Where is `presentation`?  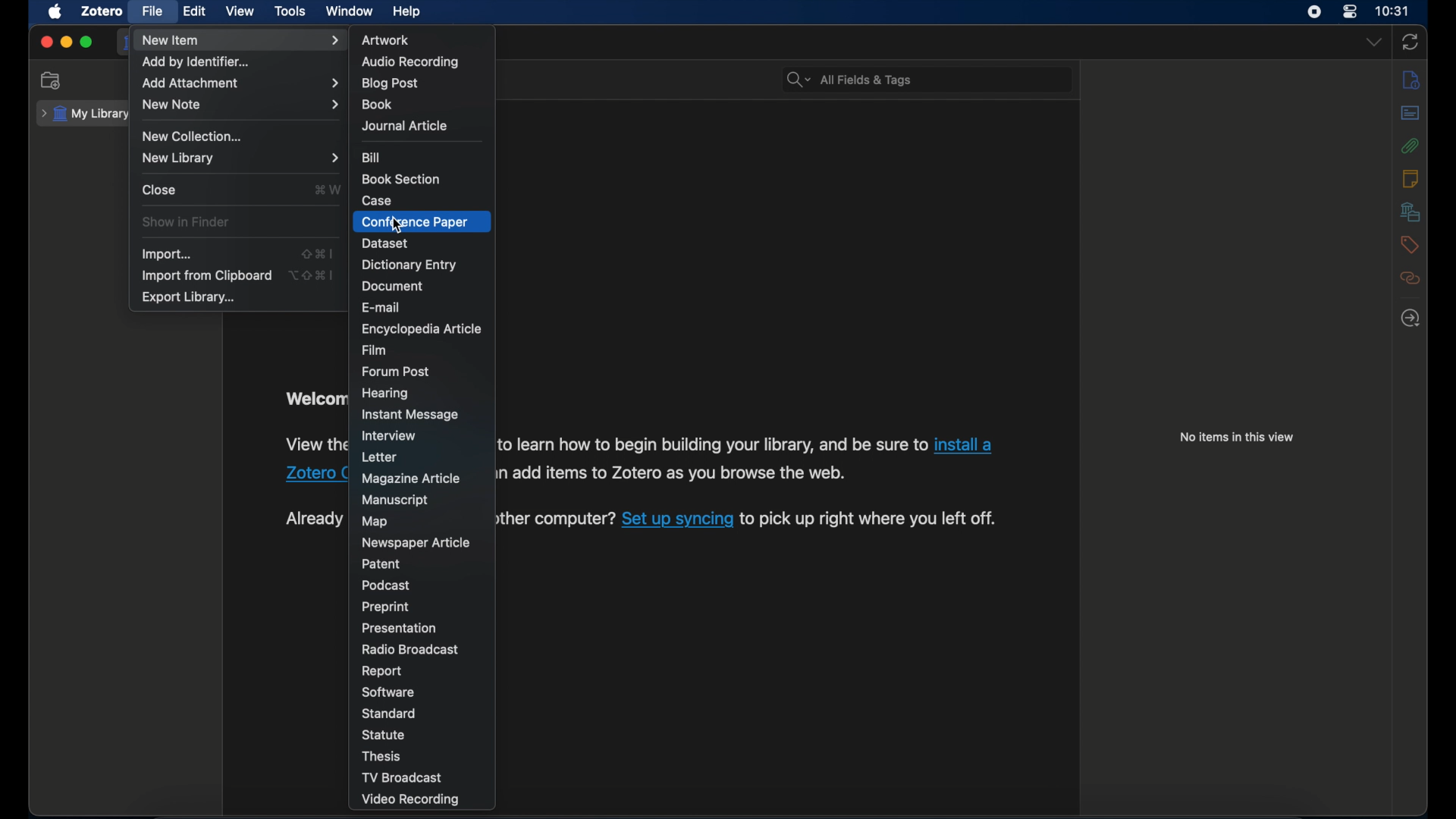 presentation is located at coordinates (400, 628).